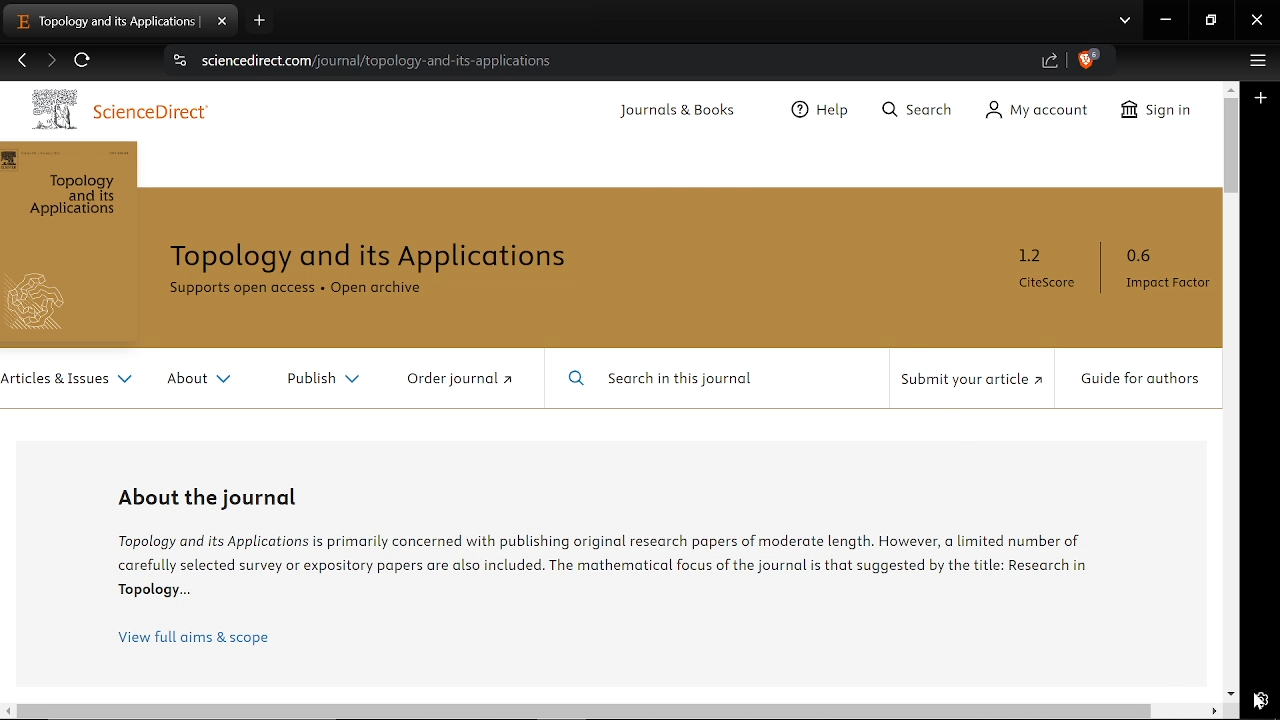 The image size is (1280, 720). Describe the element at coordinates (1217, 712) in the screenshot. I see `Move right` at that location.